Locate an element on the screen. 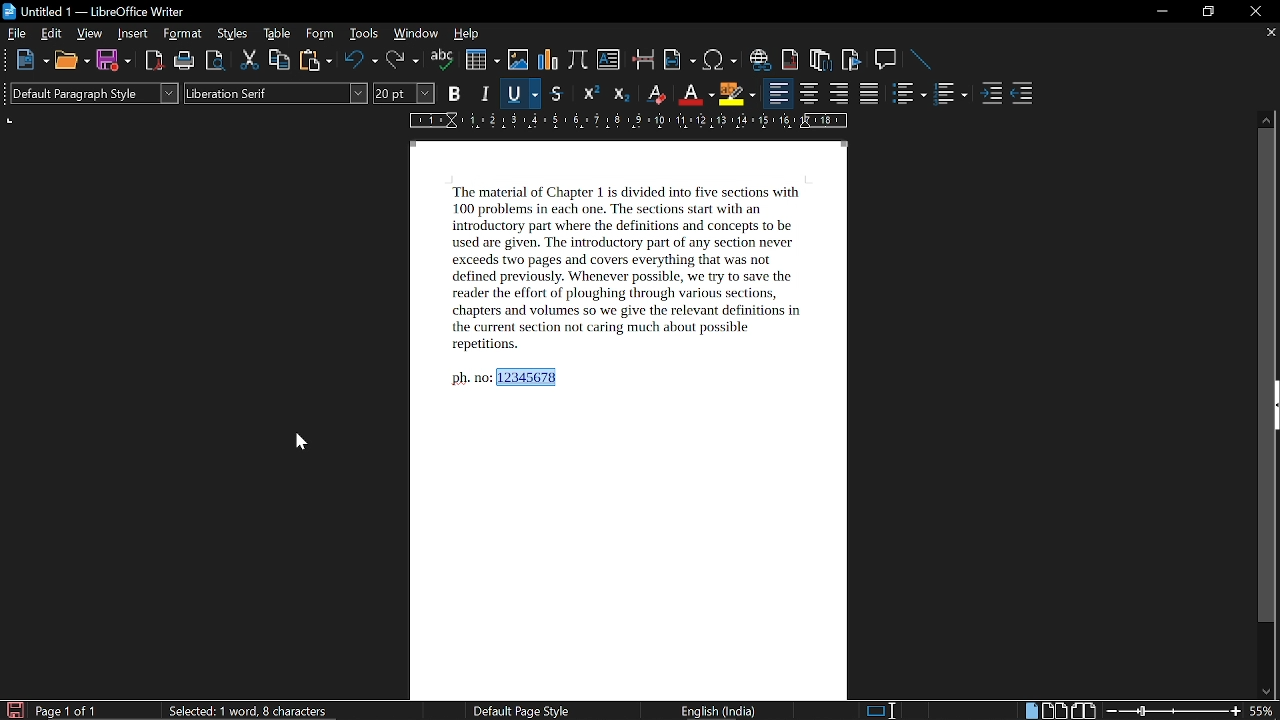 The height and width of the screenshot is (720, 1280). ph no is located at coordinates (470, 376).